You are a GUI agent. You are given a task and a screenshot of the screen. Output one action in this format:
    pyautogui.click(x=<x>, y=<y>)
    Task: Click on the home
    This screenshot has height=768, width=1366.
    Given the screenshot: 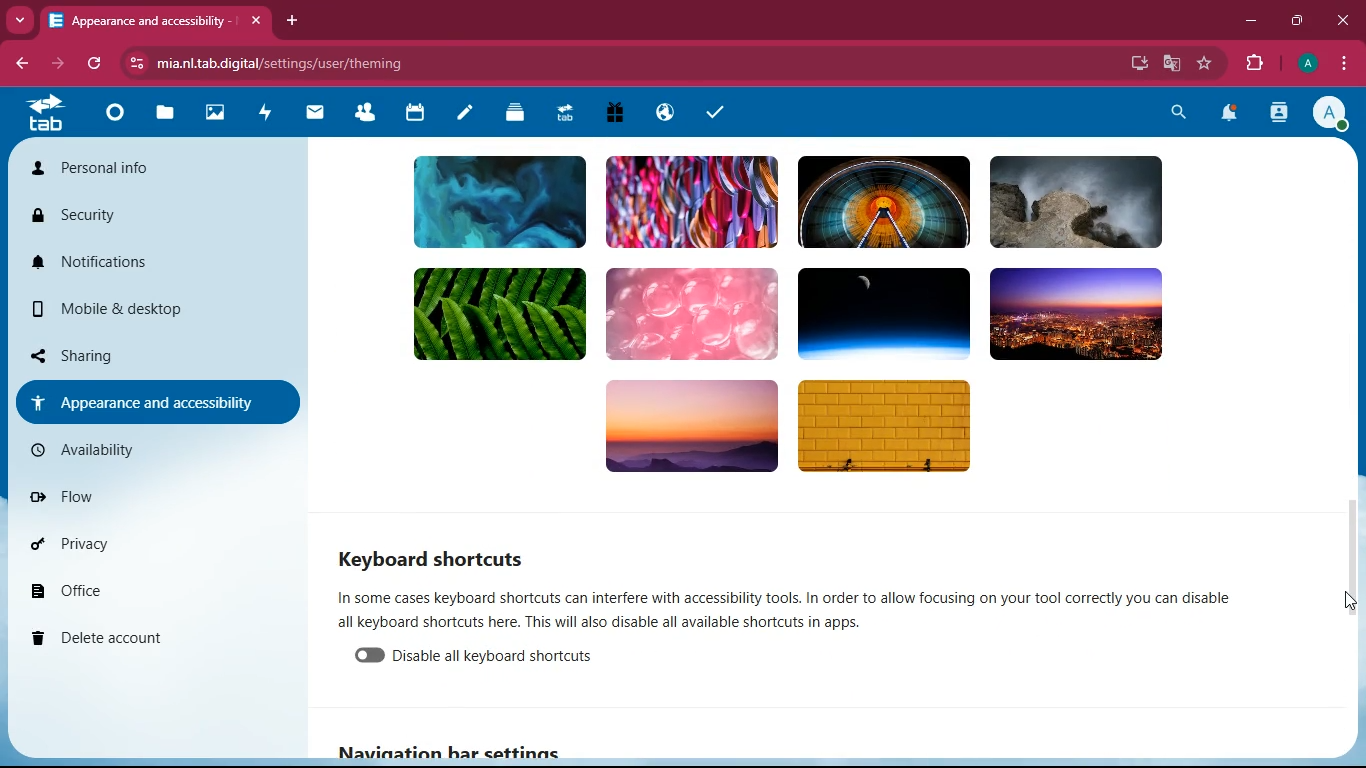 What is the action you would take?
    pyautogui.click(x=115, y=122)
    